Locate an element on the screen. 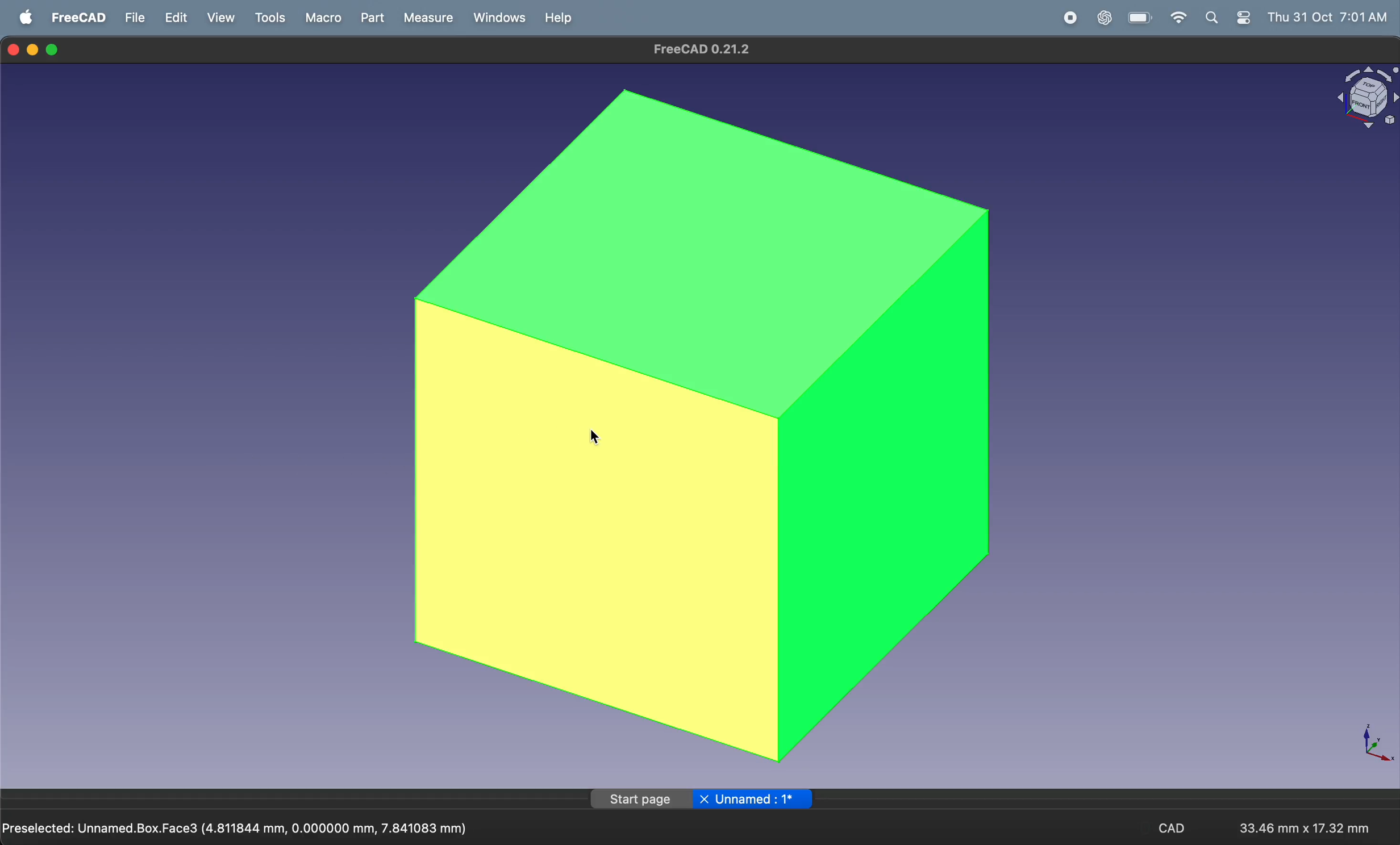 Image resolution: width=1400 pixels, height=845 pixels. part is located at coordinates (375, 19).